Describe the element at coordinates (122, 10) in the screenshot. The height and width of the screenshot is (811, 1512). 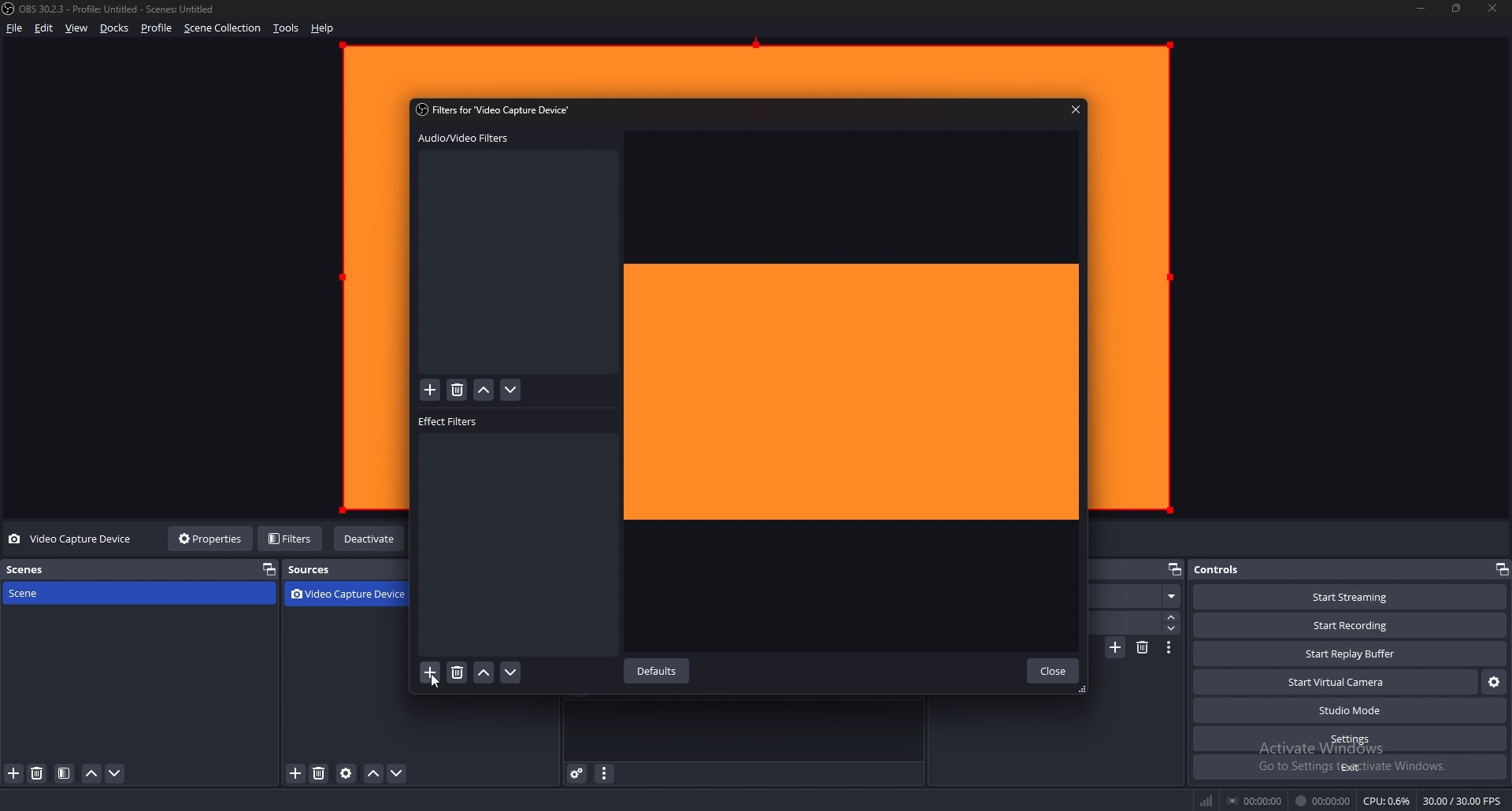
I see `OBS 30.2.3 - Profile: Untitled - Scenes: Untitled` at that location.